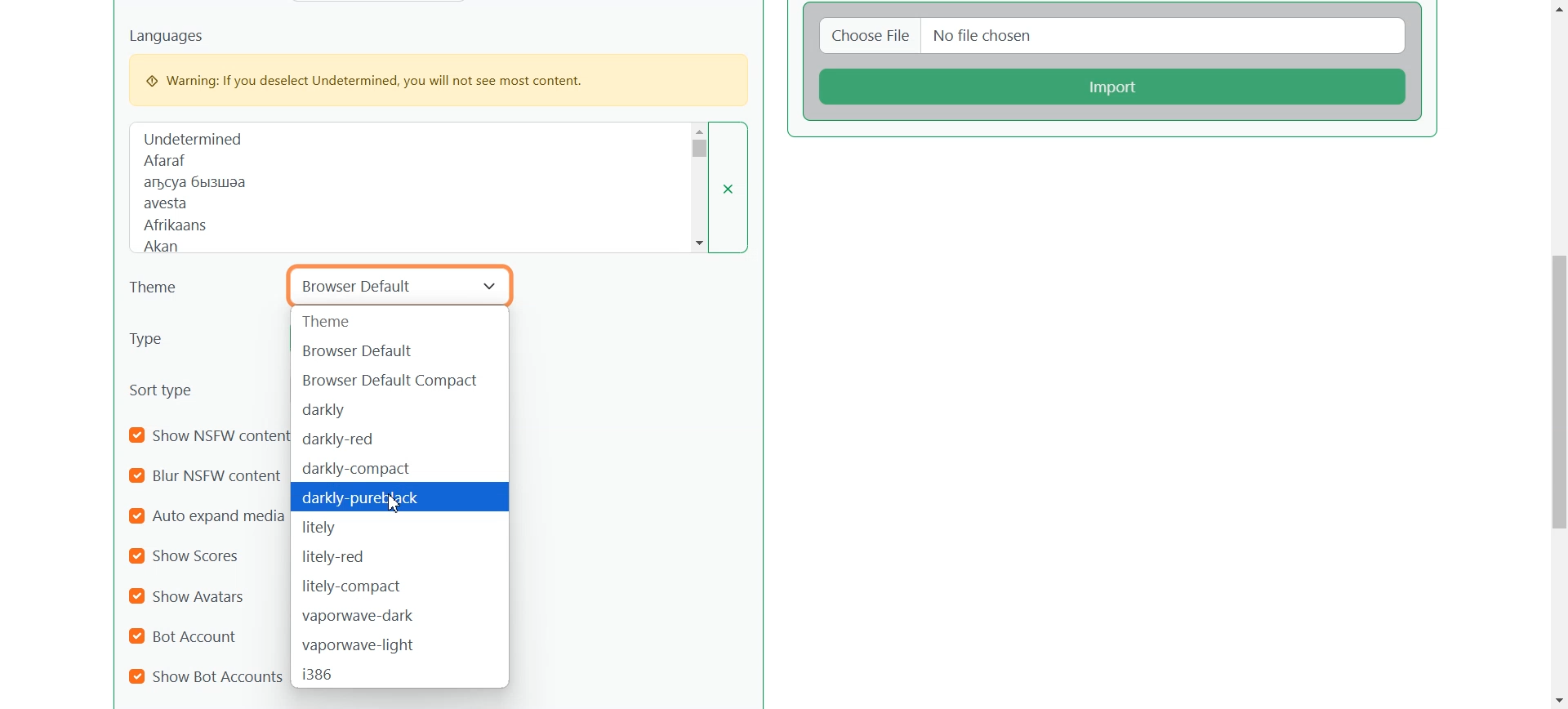 The width and height of the screenshot is (1568, 709). Describe the element at coordinates (401, 378) in the screenshot. I see `Browser Default Compact` at that location.